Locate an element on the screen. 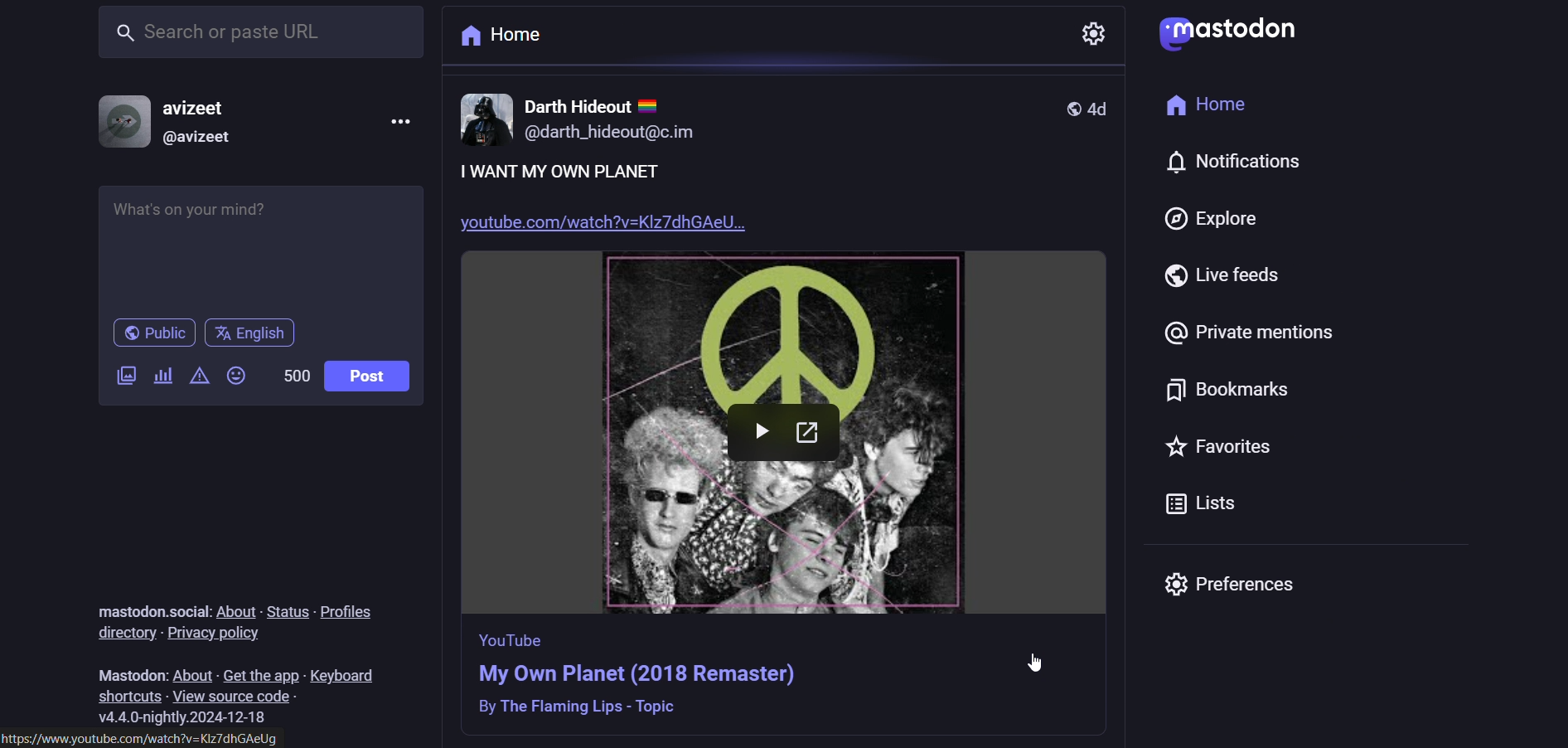  about is located at coordinates (235, 606).